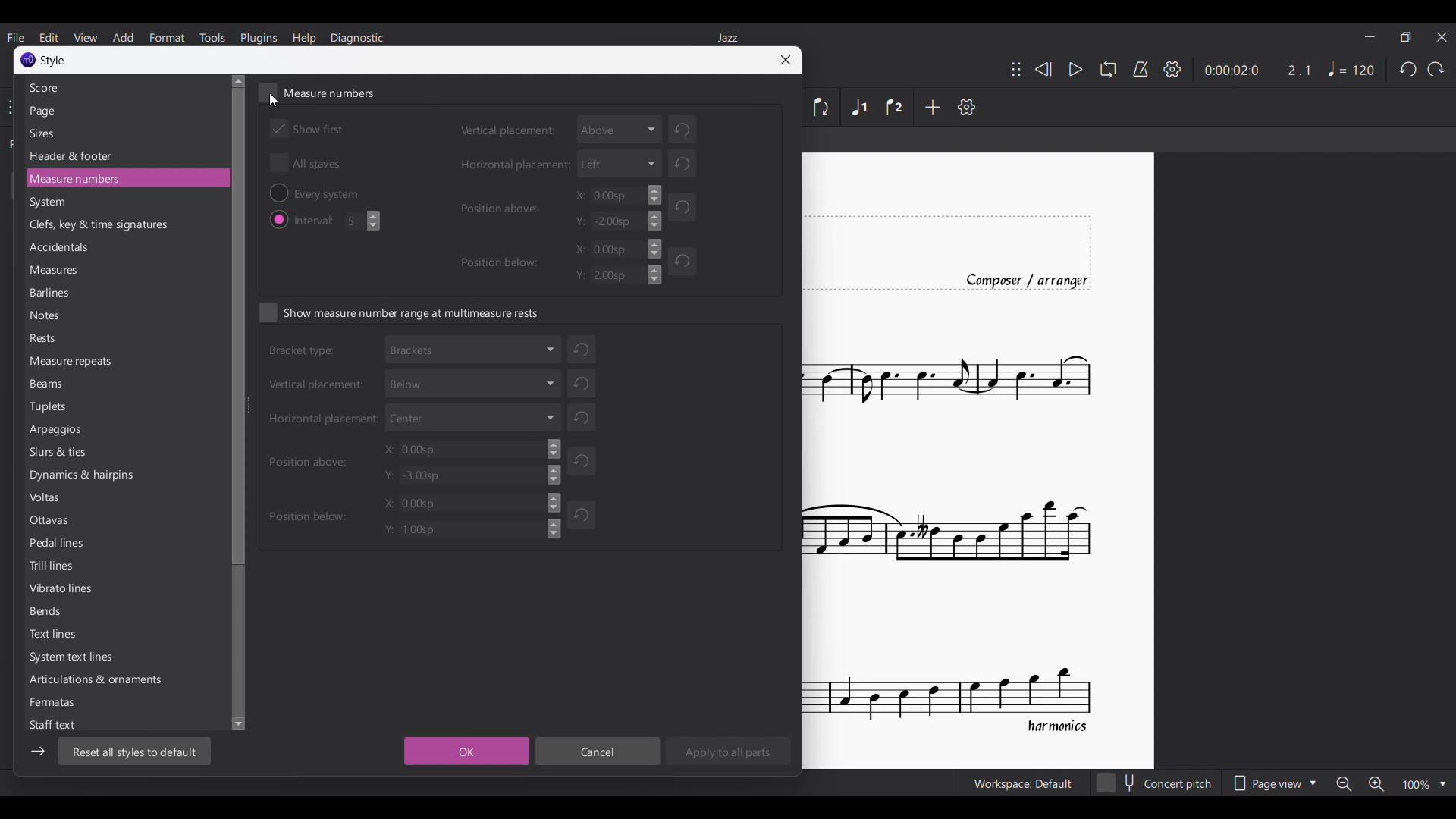 This screenshot has width=1456, height=819. What do you see at coordinates (1258, 71) in the screenshot?
I see `Duration and ratio` at bounding box center [1258, 71].